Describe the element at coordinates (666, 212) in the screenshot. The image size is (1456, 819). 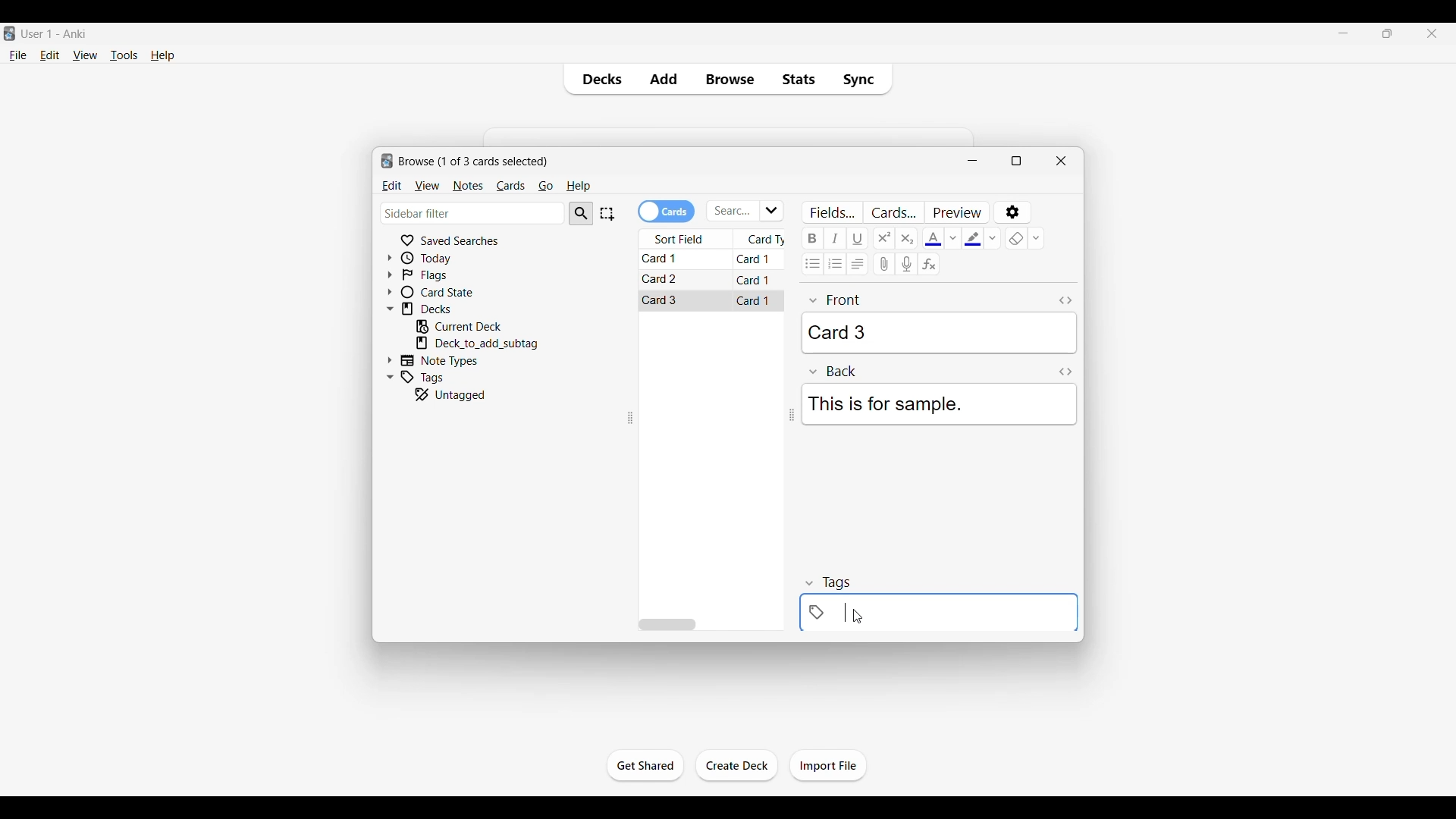
I see `Toggle cards/notes` at that location.